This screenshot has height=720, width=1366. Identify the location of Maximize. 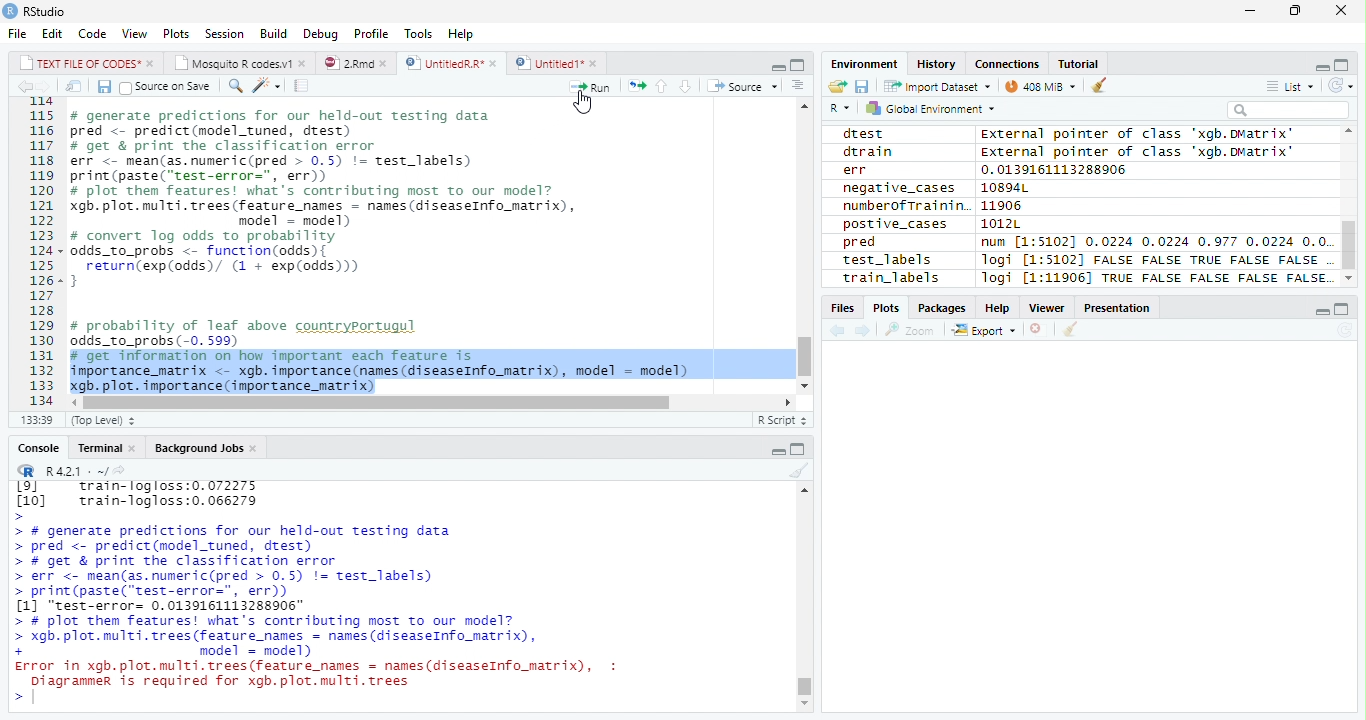
(1341, 307).